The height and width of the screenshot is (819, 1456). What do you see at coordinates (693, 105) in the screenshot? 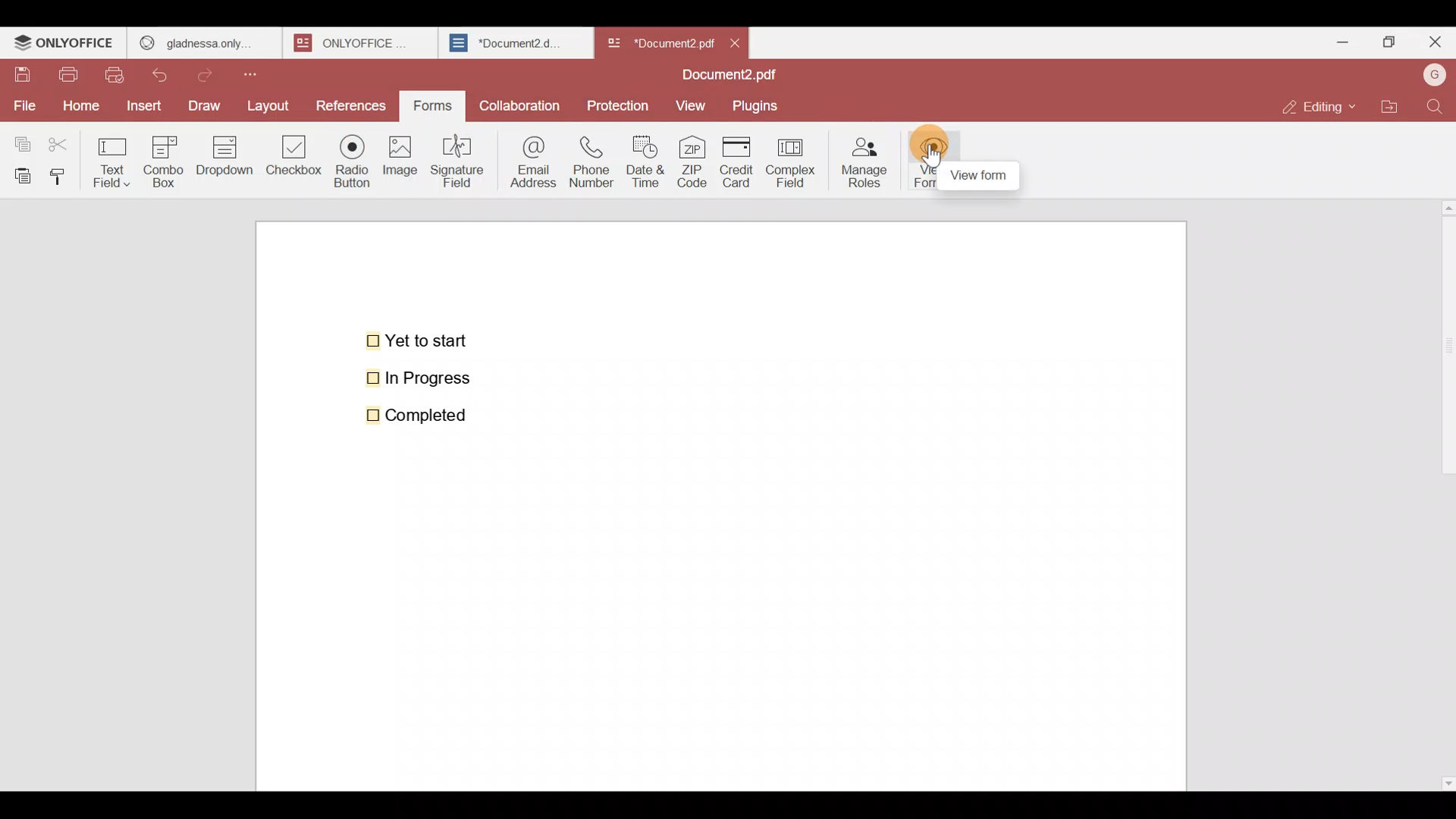
I see `View` at bounding box center [693, 105].